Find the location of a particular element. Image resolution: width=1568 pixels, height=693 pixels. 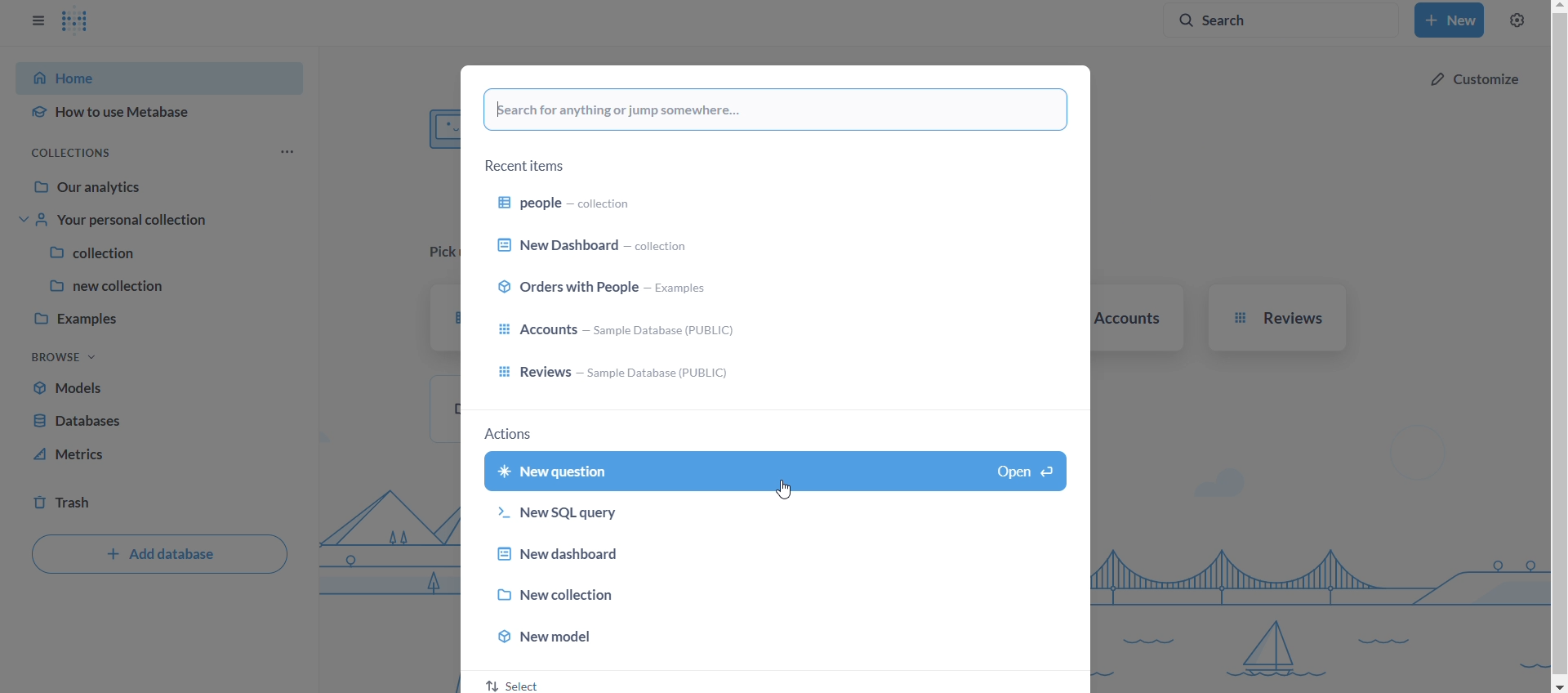

actions is located at coordinates (516, 434).